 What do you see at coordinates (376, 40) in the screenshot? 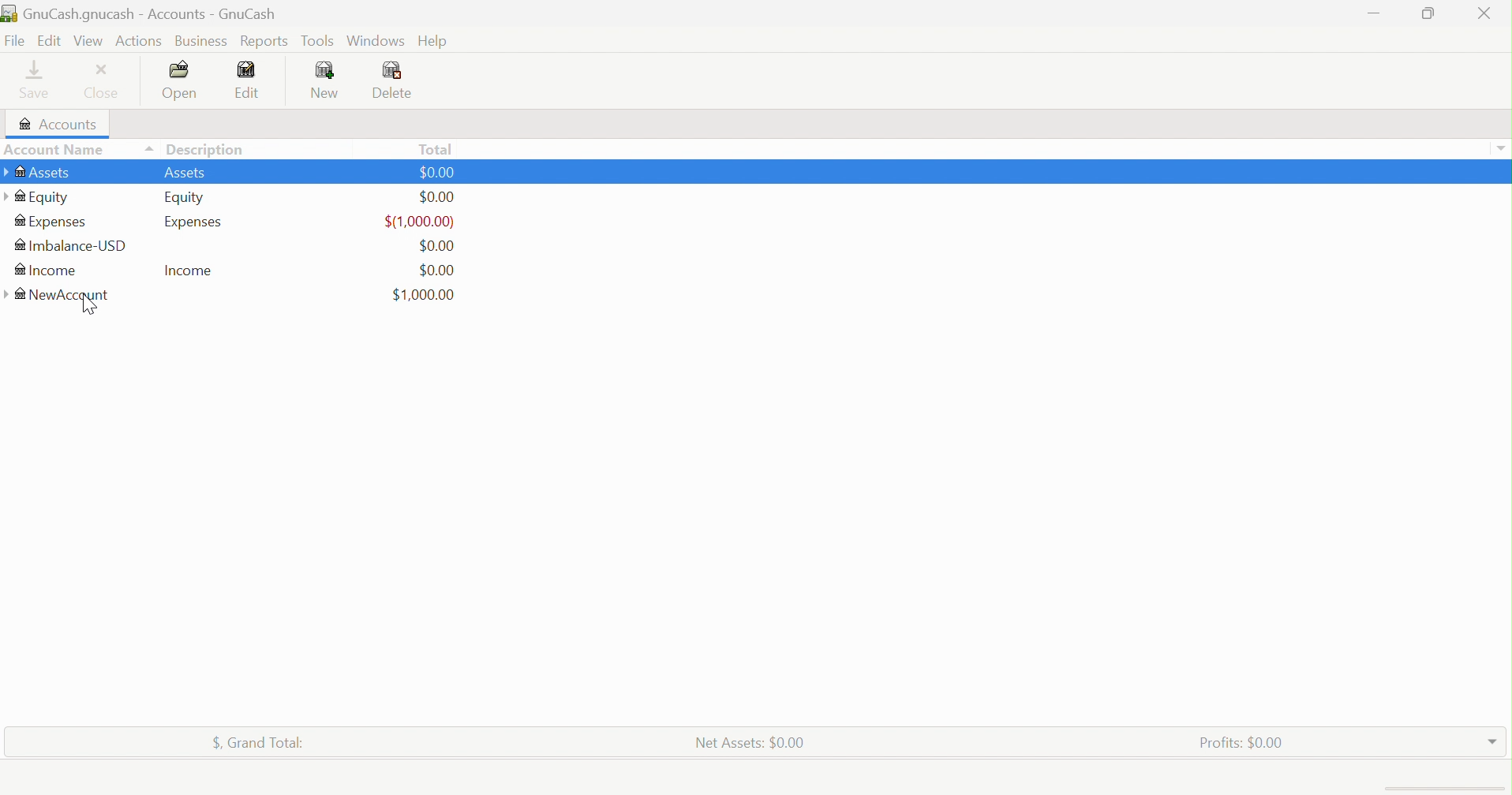
I see `Windows` at bounding box center [376, 40].